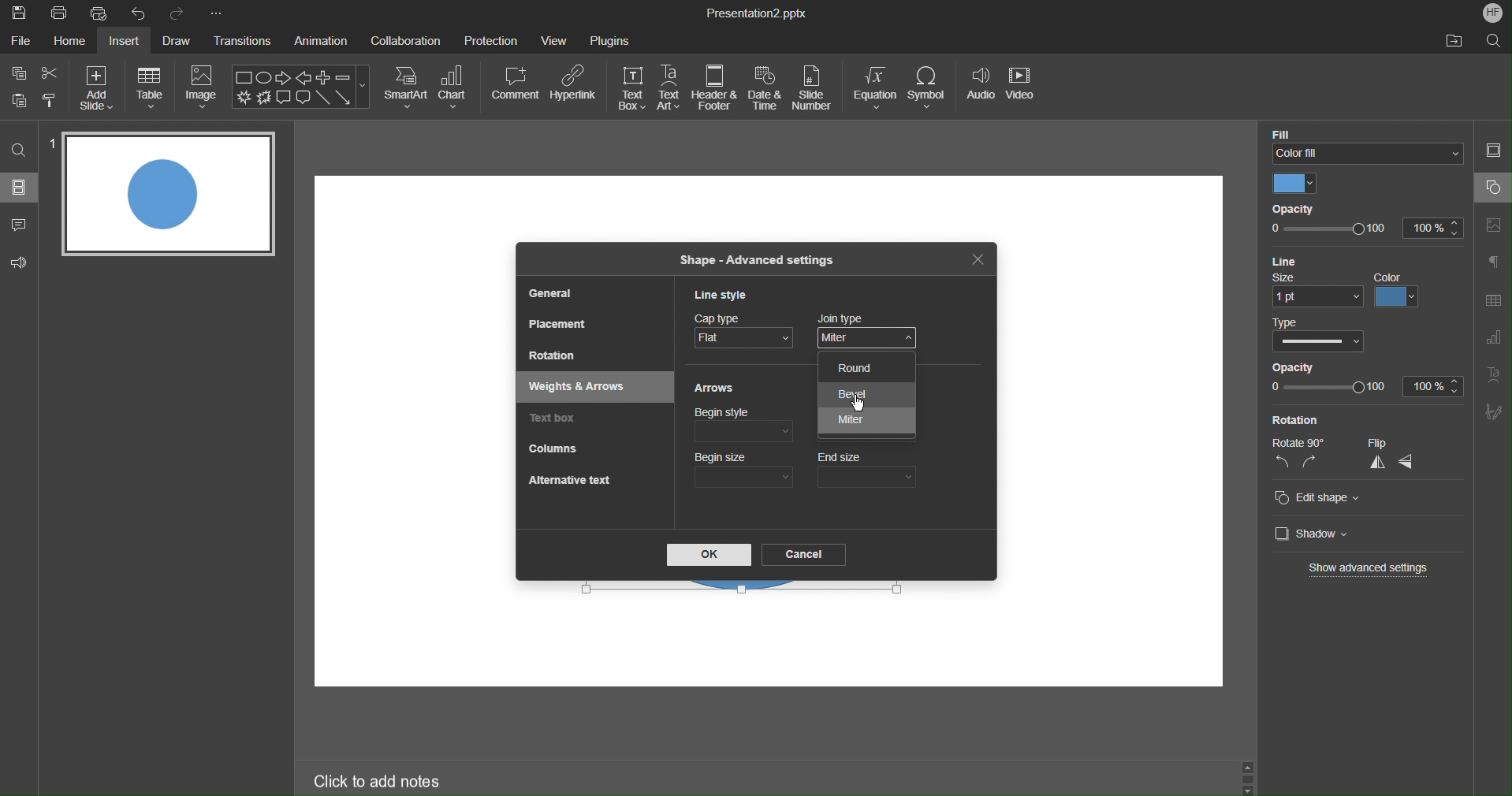  What do you see at coordinates (374, 780) in the screenshot?
I see `Click to add notes` at bounding box center [374, 780].